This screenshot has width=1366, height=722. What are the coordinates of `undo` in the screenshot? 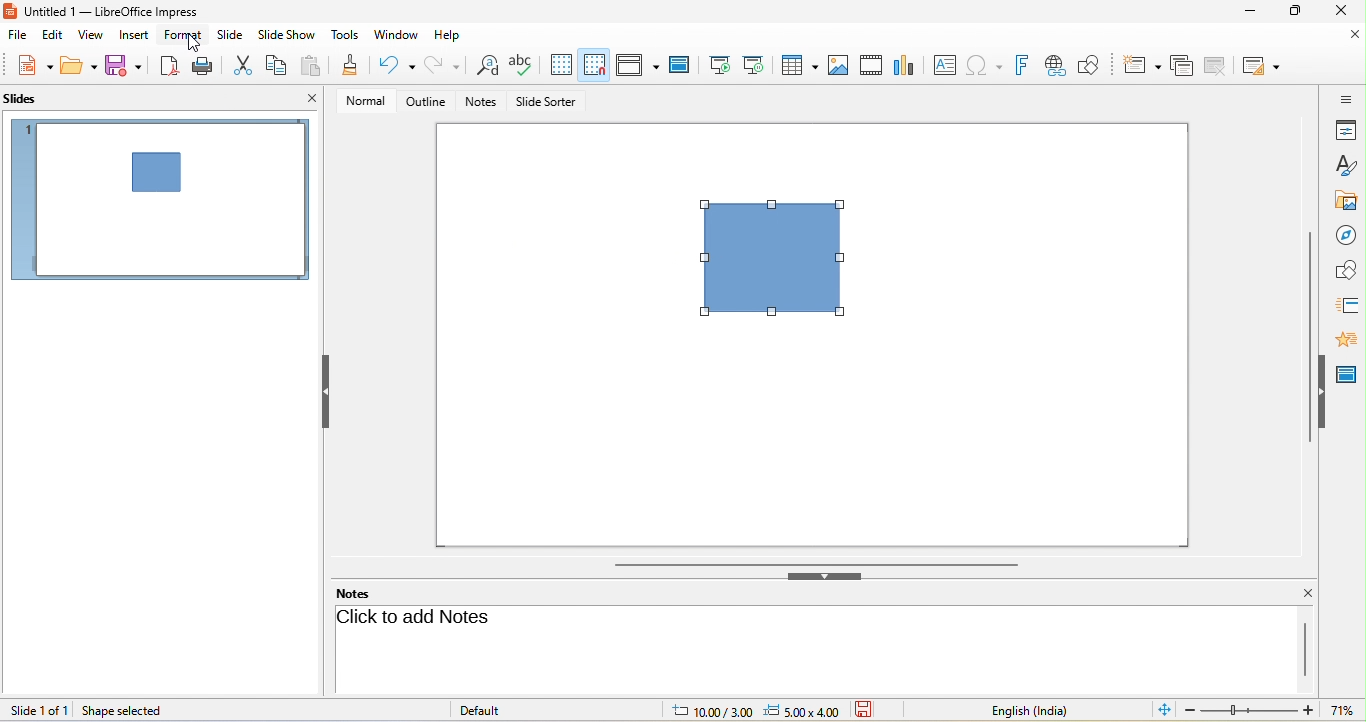 It's located at (397, 66).